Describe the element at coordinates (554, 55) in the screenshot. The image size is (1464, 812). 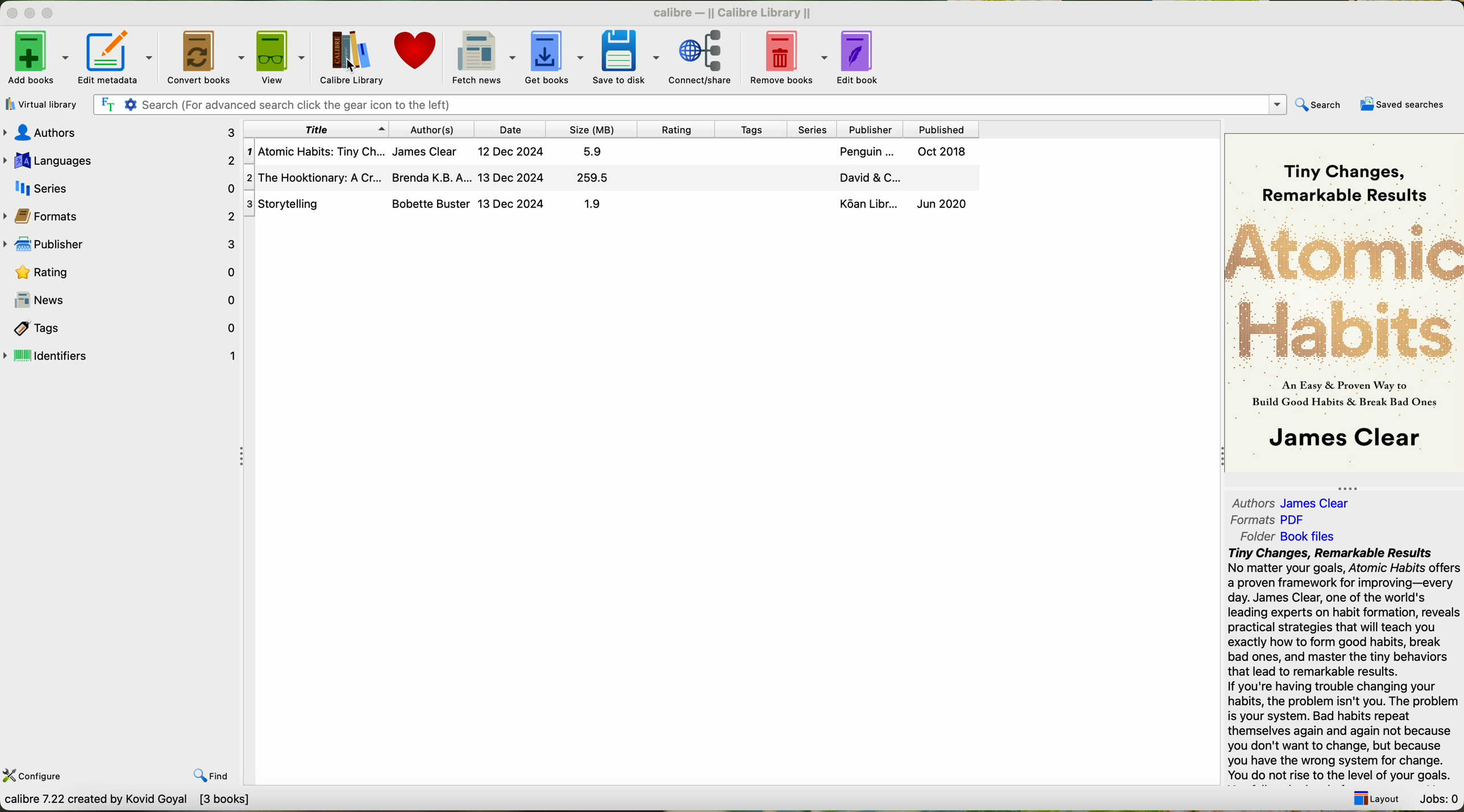
I see `get books` at that location.